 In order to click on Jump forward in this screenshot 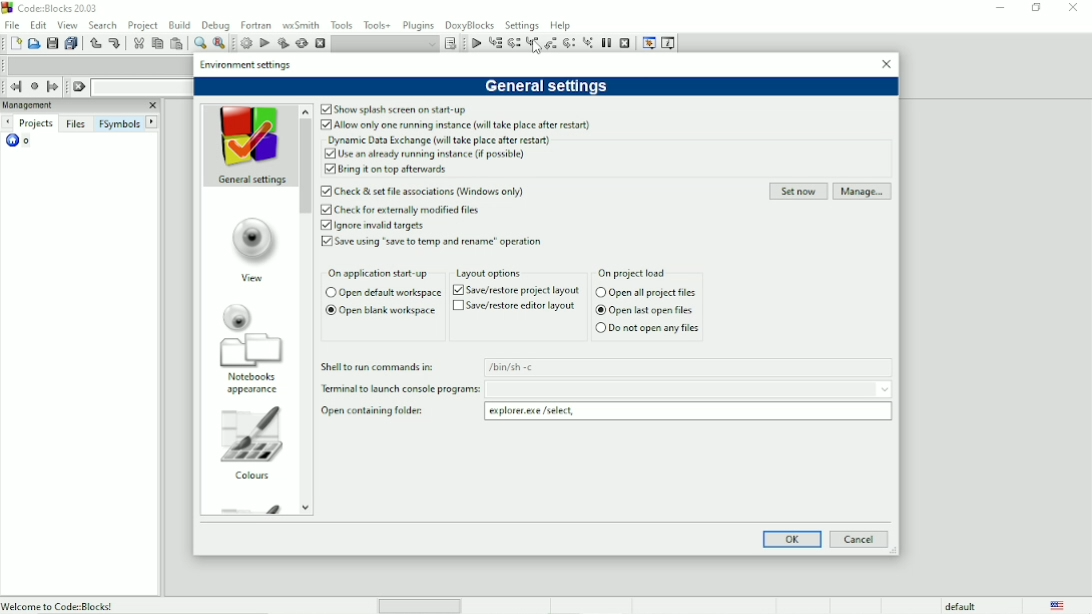, I will do `click(53, 87)`.